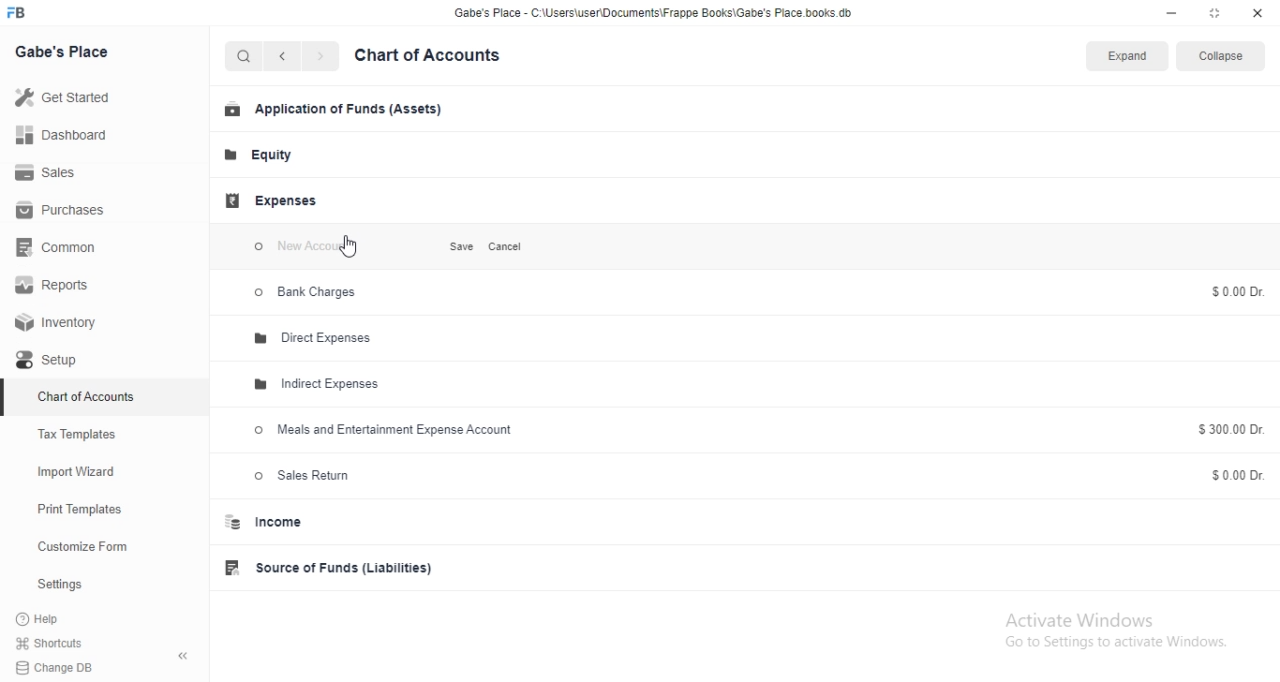 The height and width of the screenshot is (682, 1280). Describe the element at coordinates (1236, 430) in the screenshot. I see `$300.00 Dr.` at that location.